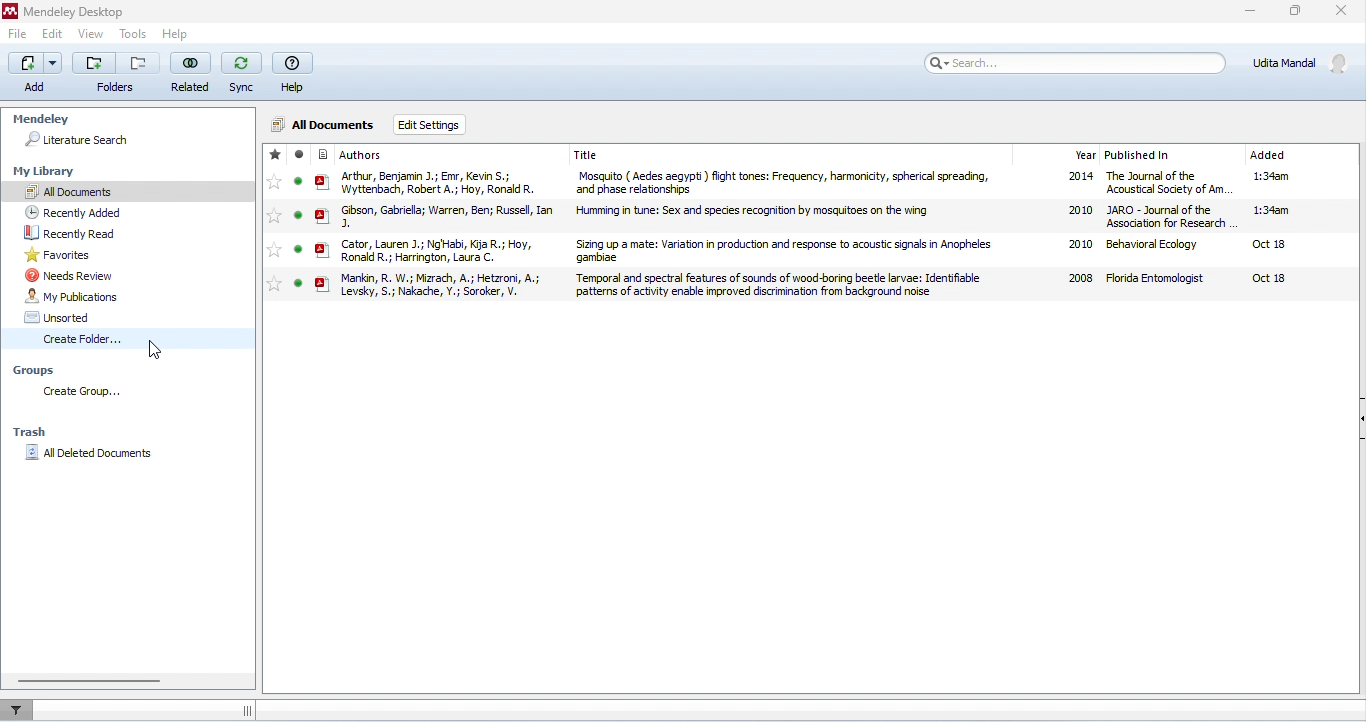  I want to click on help, so click(183, 35).